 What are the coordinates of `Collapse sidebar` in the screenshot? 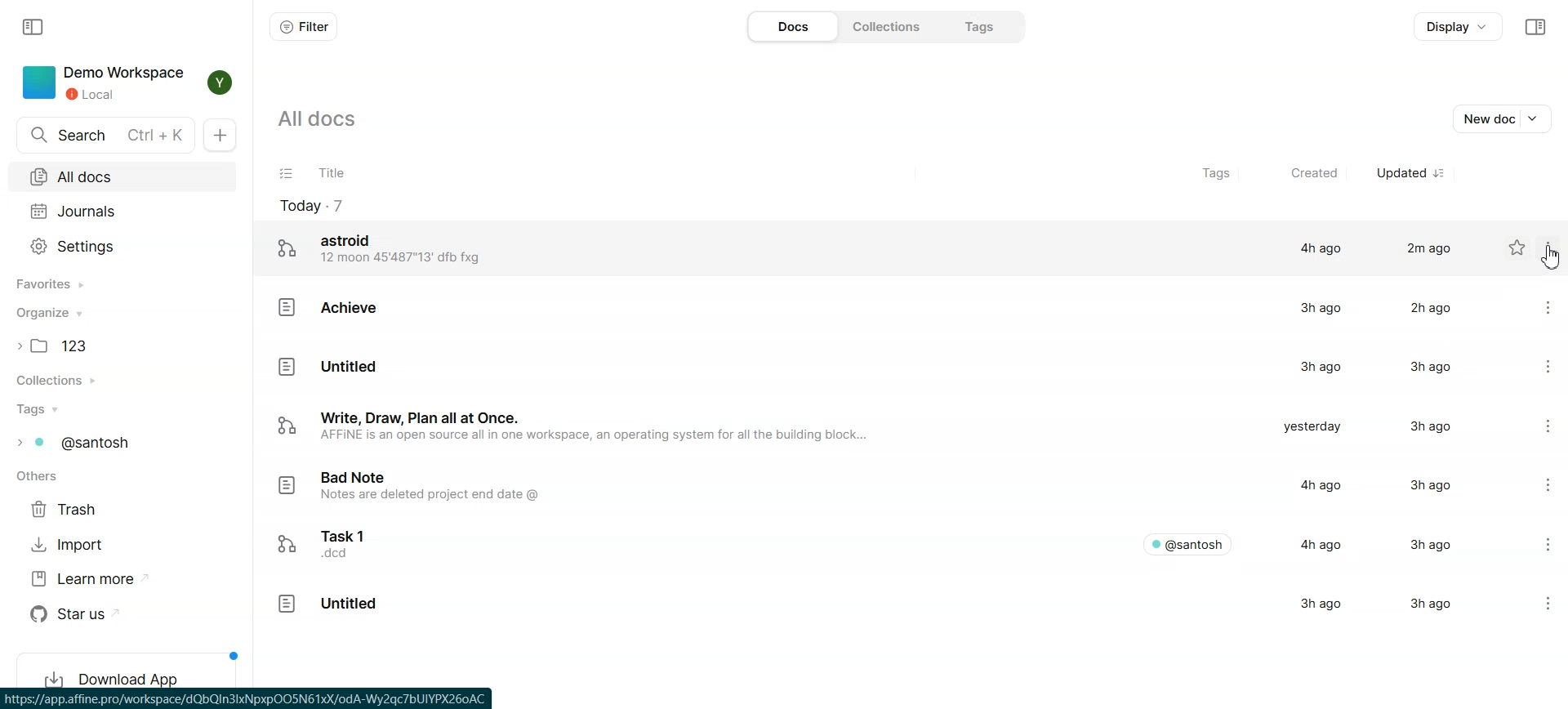 It's located at (1535, 28).